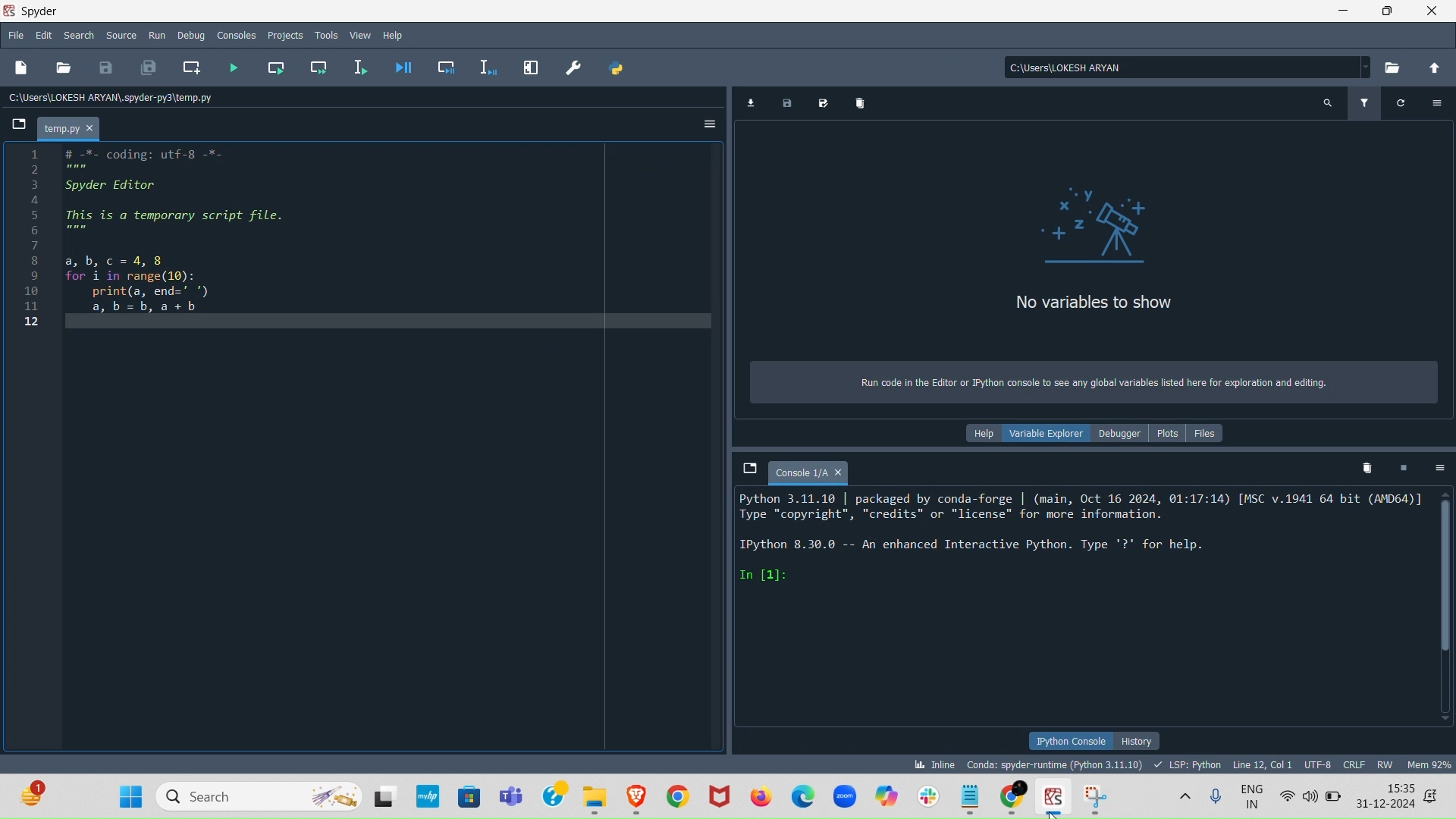 The width and height of the screenshot is (1456, 819). What do you see at coordinates (1346, 14) in the screenshot?
I see `Minimize` at bounding box center [1346, 14].